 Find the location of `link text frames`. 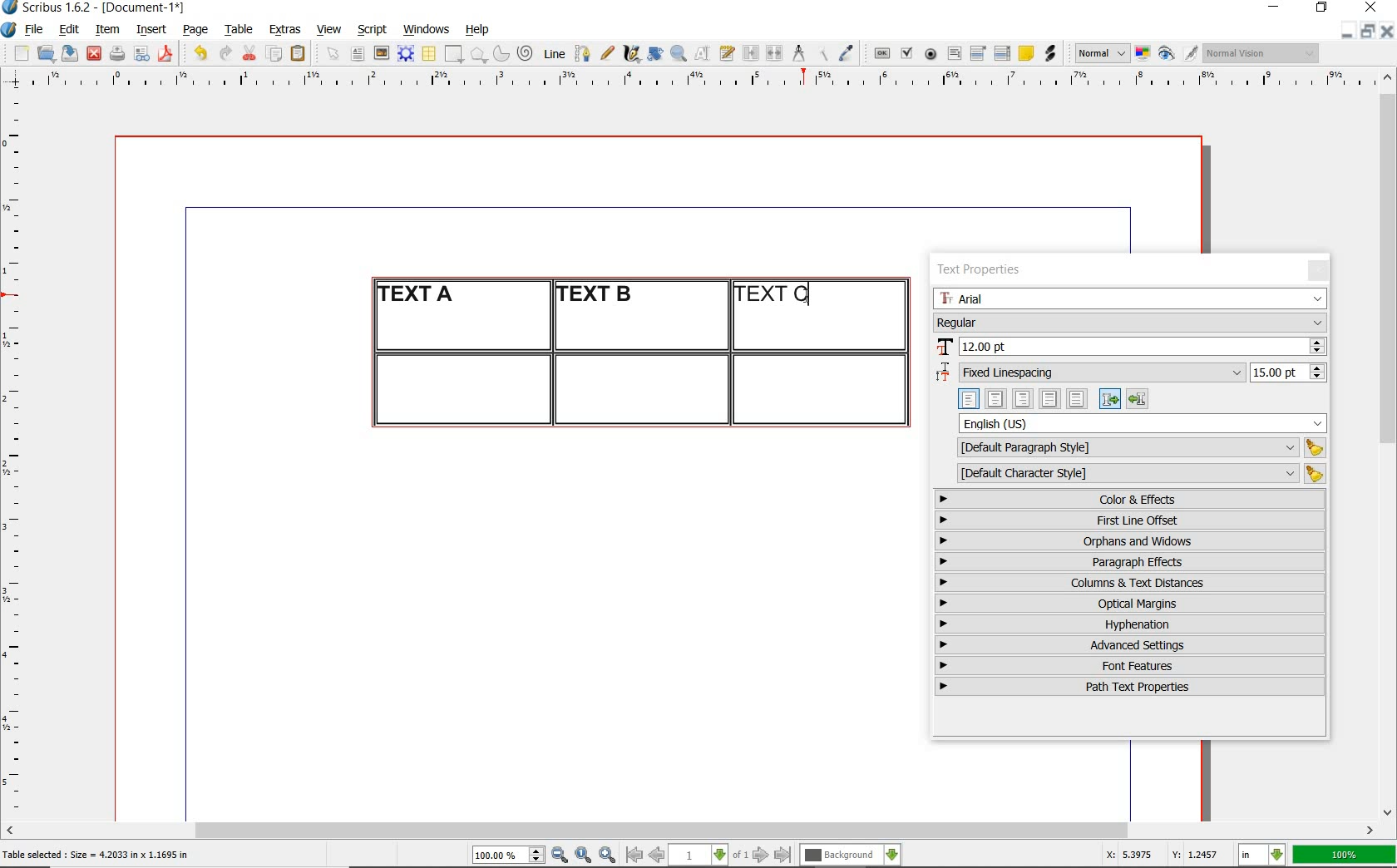

link text frames is located at coordinates (752, 55).